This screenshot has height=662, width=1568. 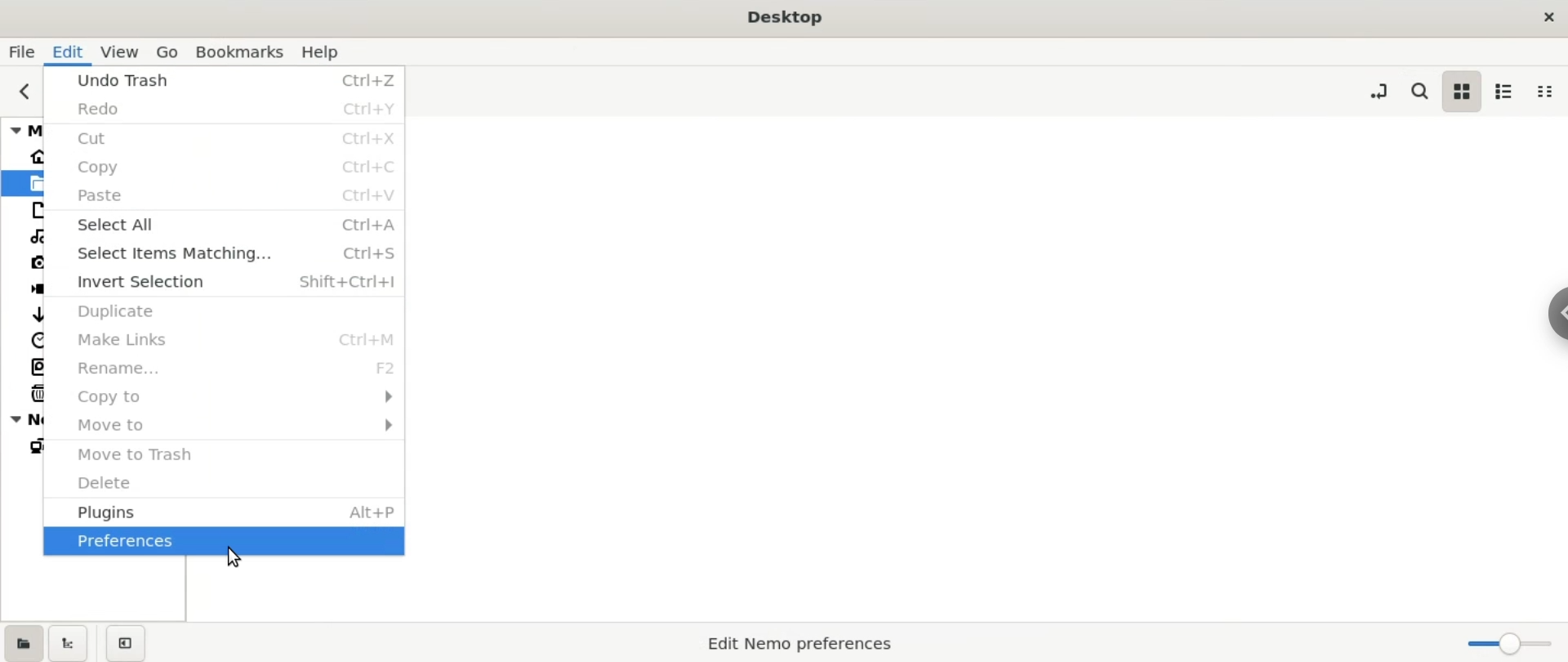 I want to click on select items matching, so click(x=223, y=251).